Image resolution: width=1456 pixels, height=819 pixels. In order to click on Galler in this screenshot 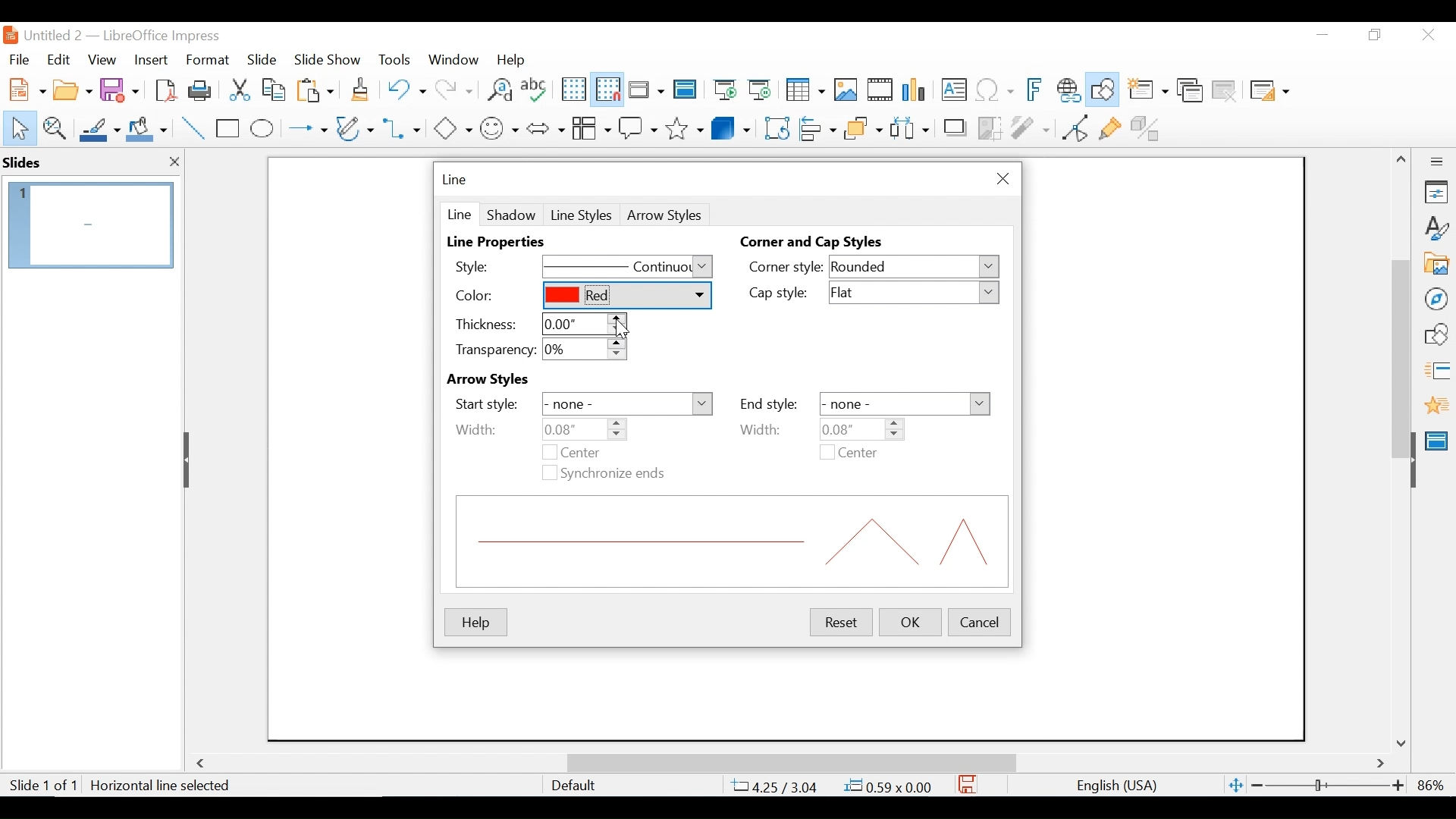, I will do `click(1436, 265)`.